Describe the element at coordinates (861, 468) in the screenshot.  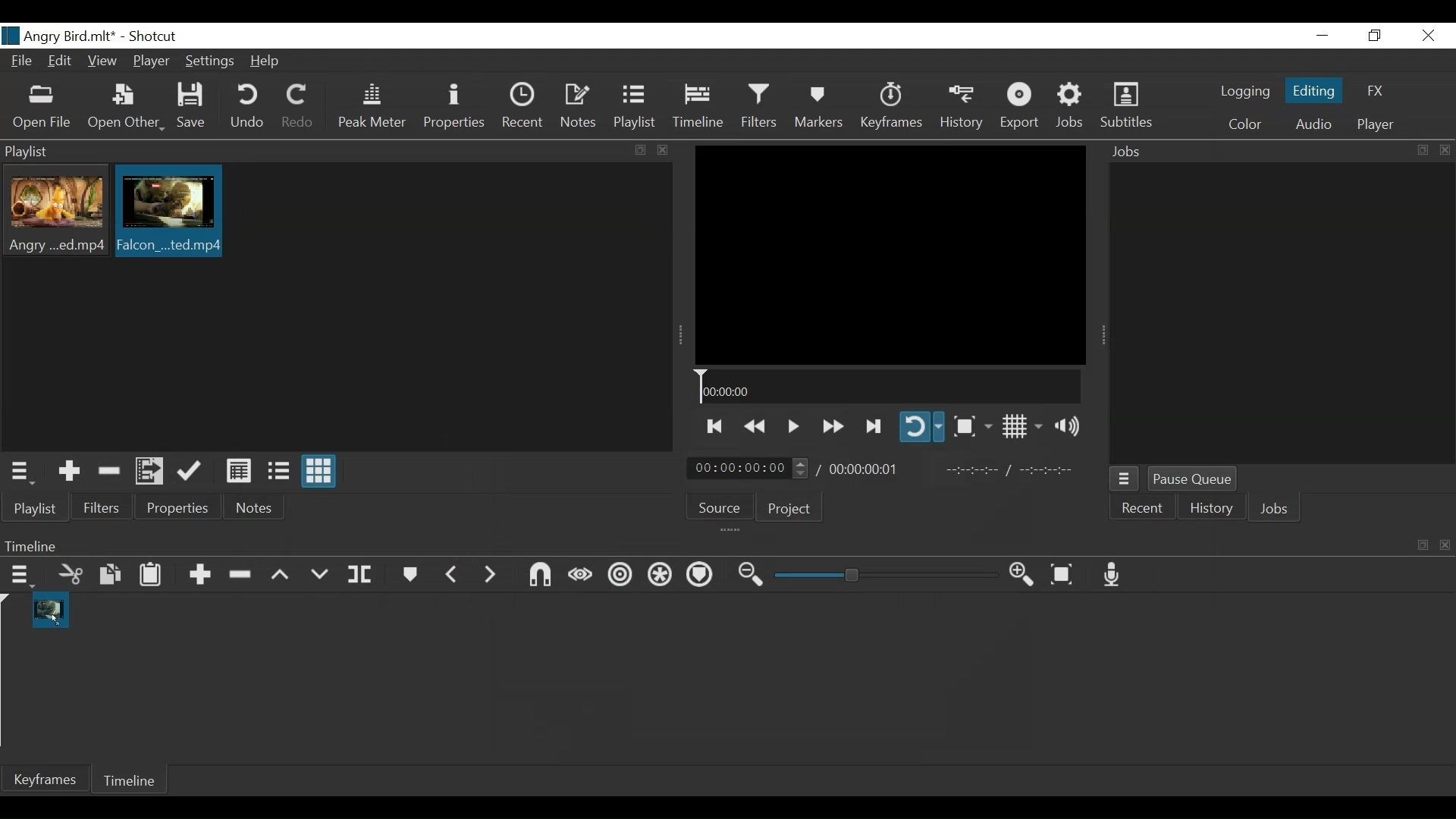
I see `Total Duration ` at that location.